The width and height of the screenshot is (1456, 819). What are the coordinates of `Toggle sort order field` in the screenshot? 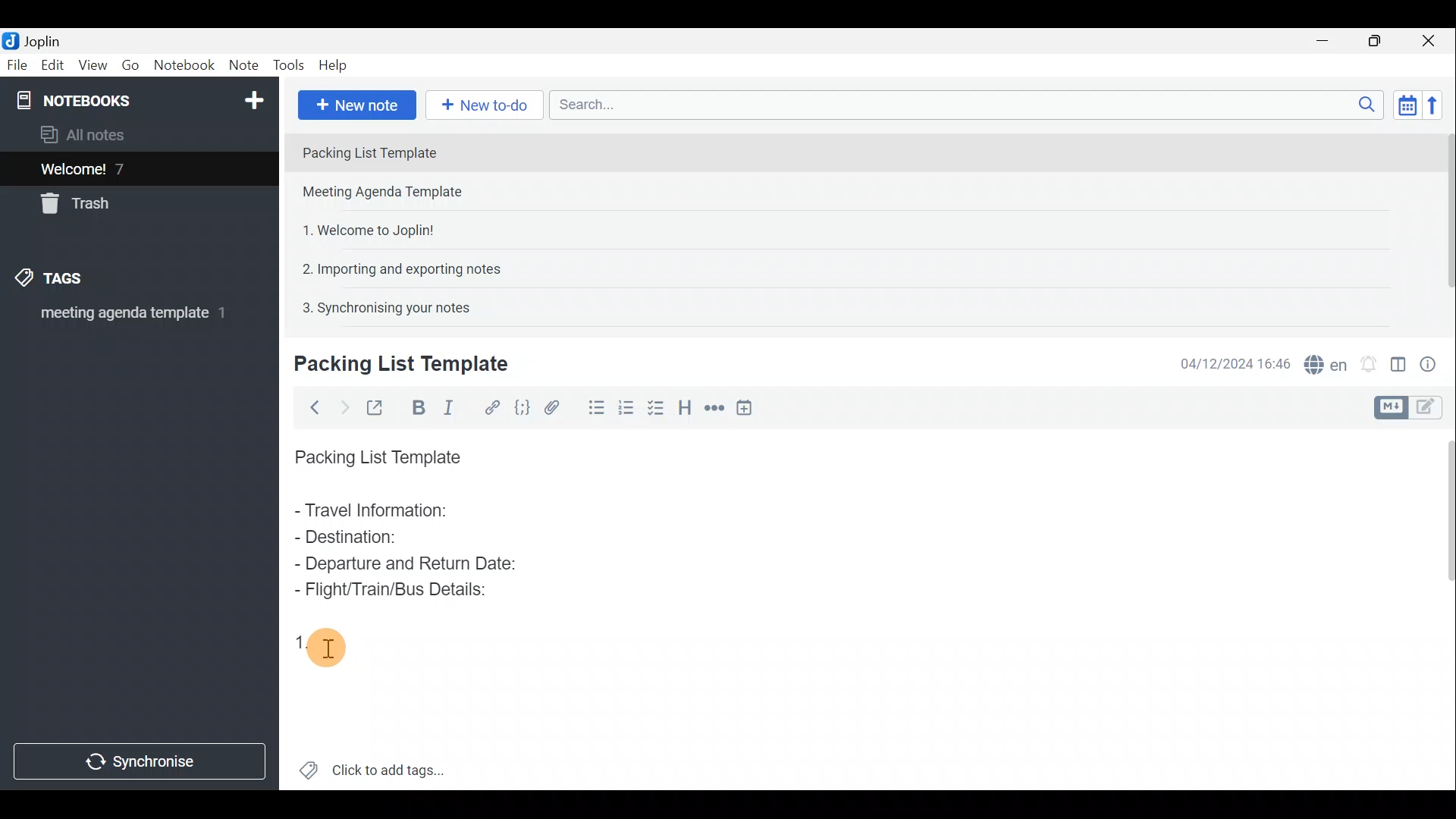 It's located at (1402, 105).